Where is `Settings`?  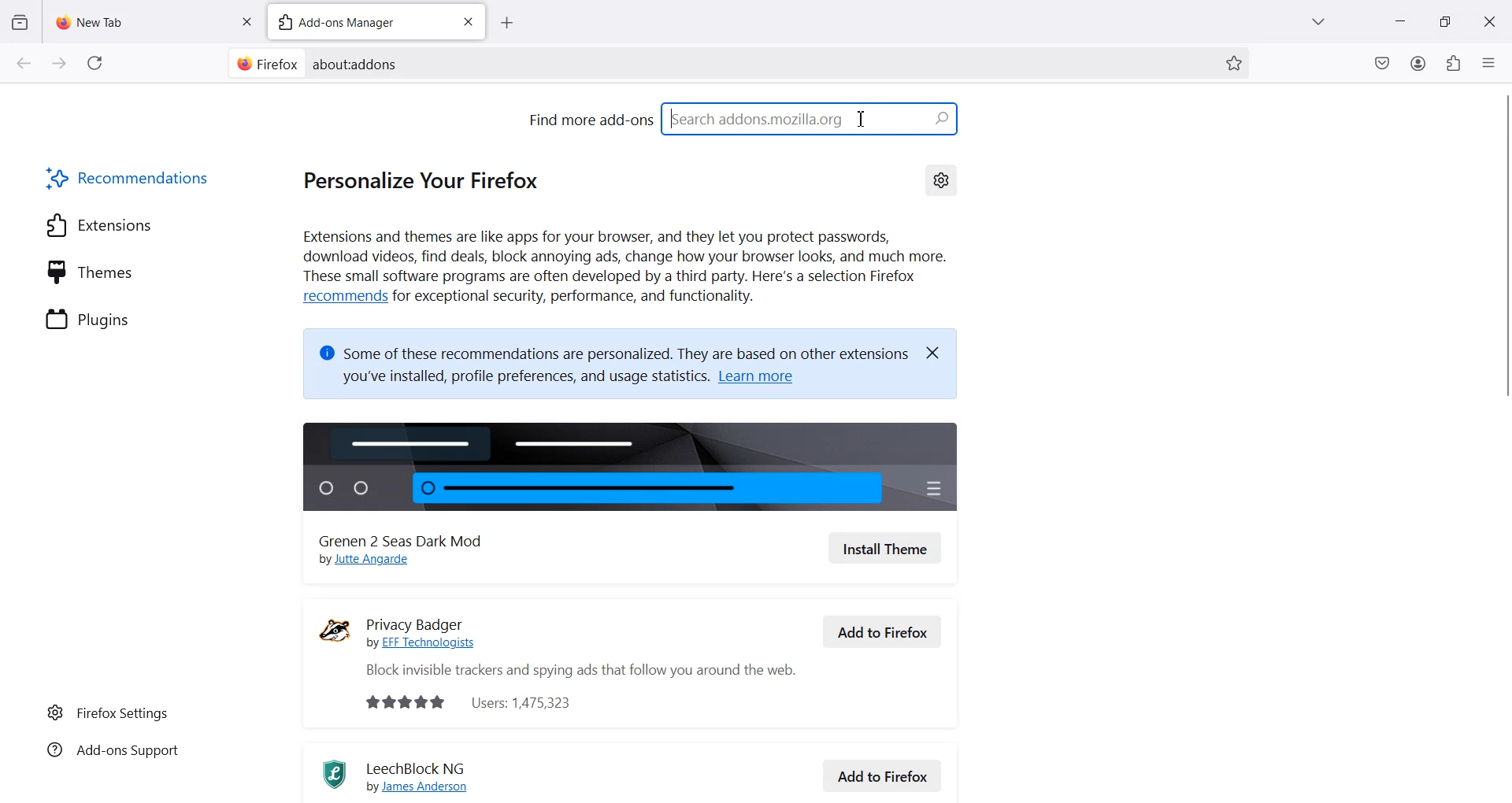 Settings is located at coordinates (941, 179).